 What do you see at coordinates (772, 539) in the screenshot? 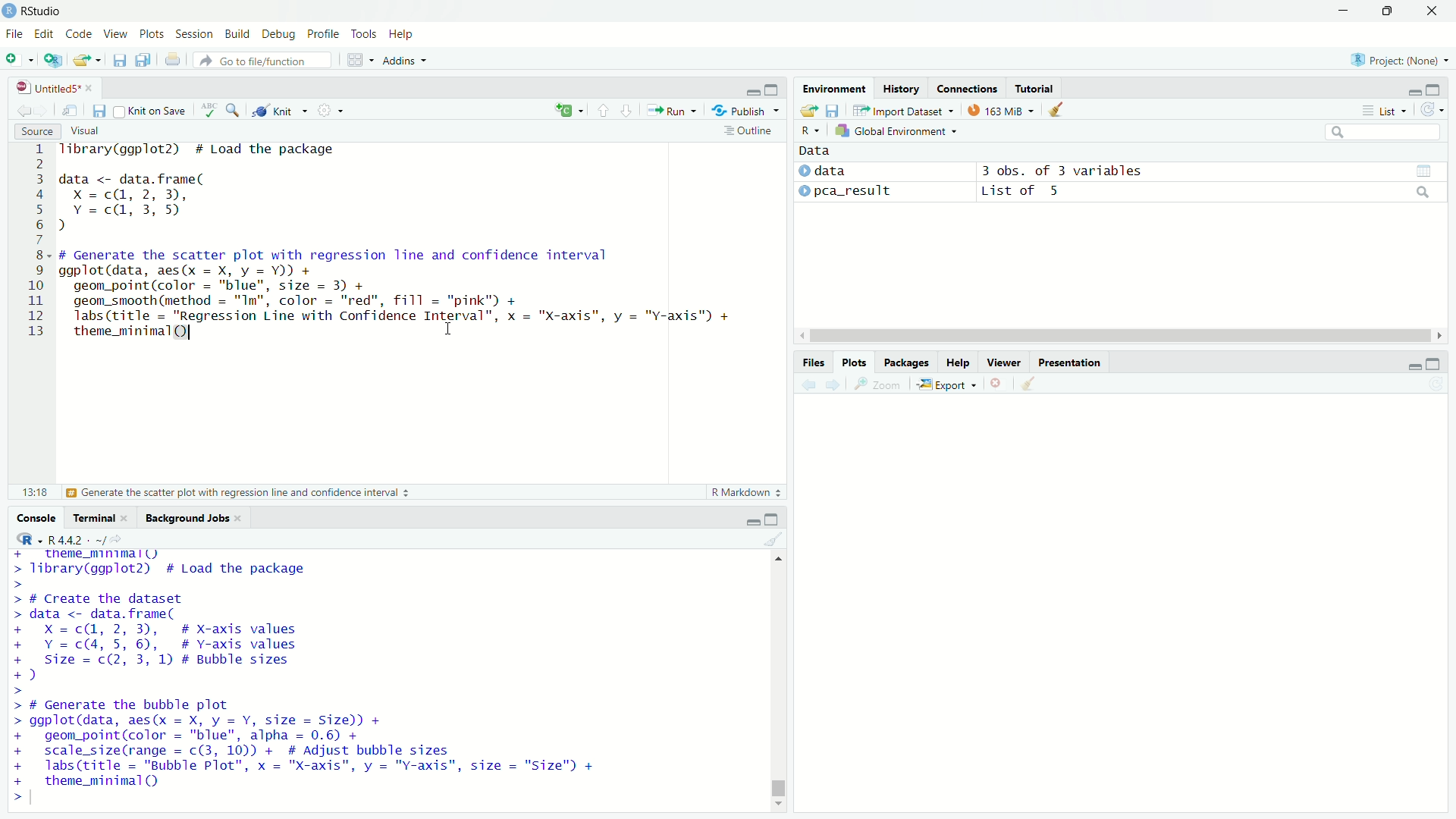
I see `Clear console` at bounding box center [772, 539].